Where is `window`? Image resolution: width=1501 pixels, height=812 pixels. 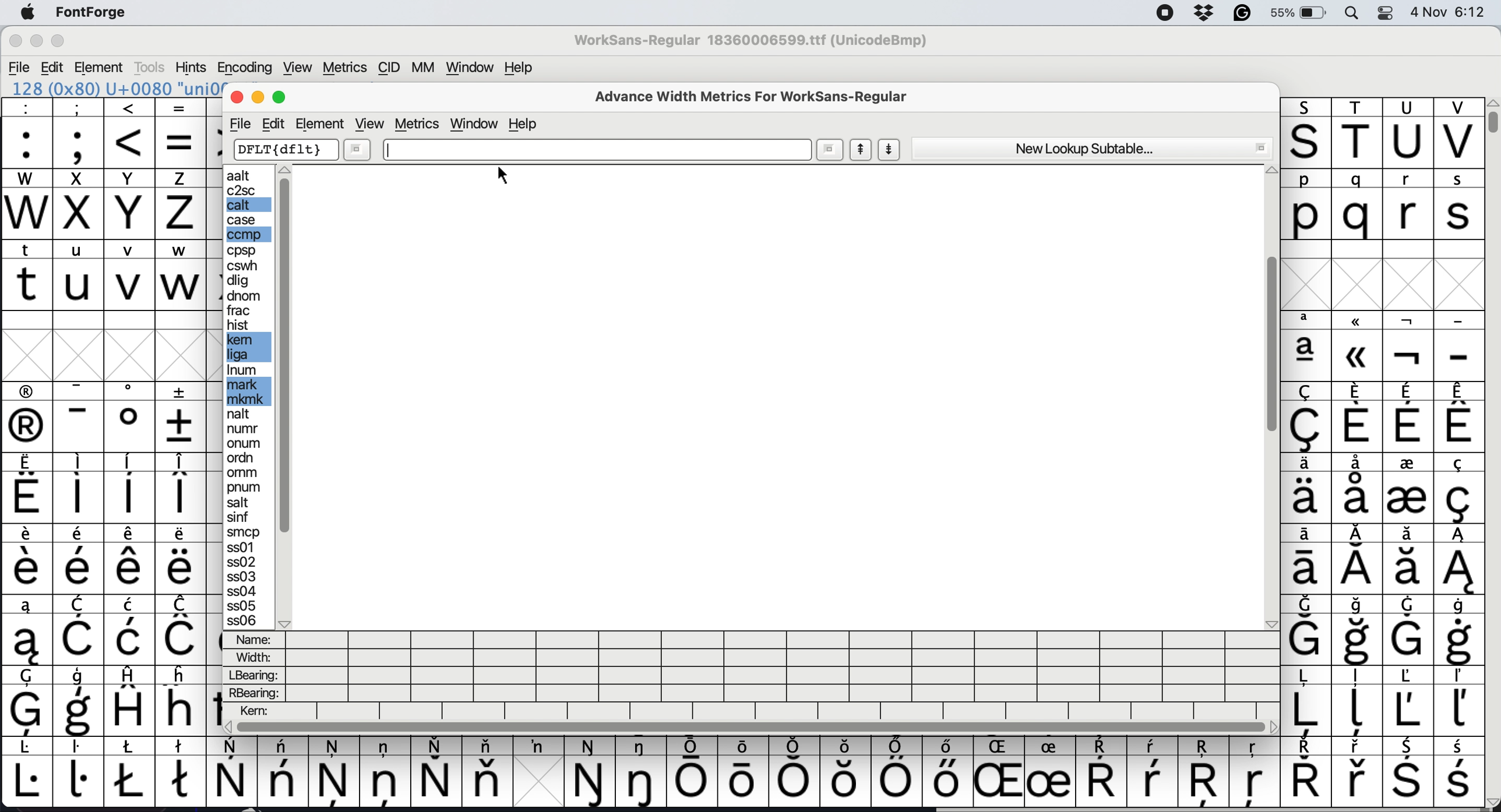 window is located at coordinates (473, 123).